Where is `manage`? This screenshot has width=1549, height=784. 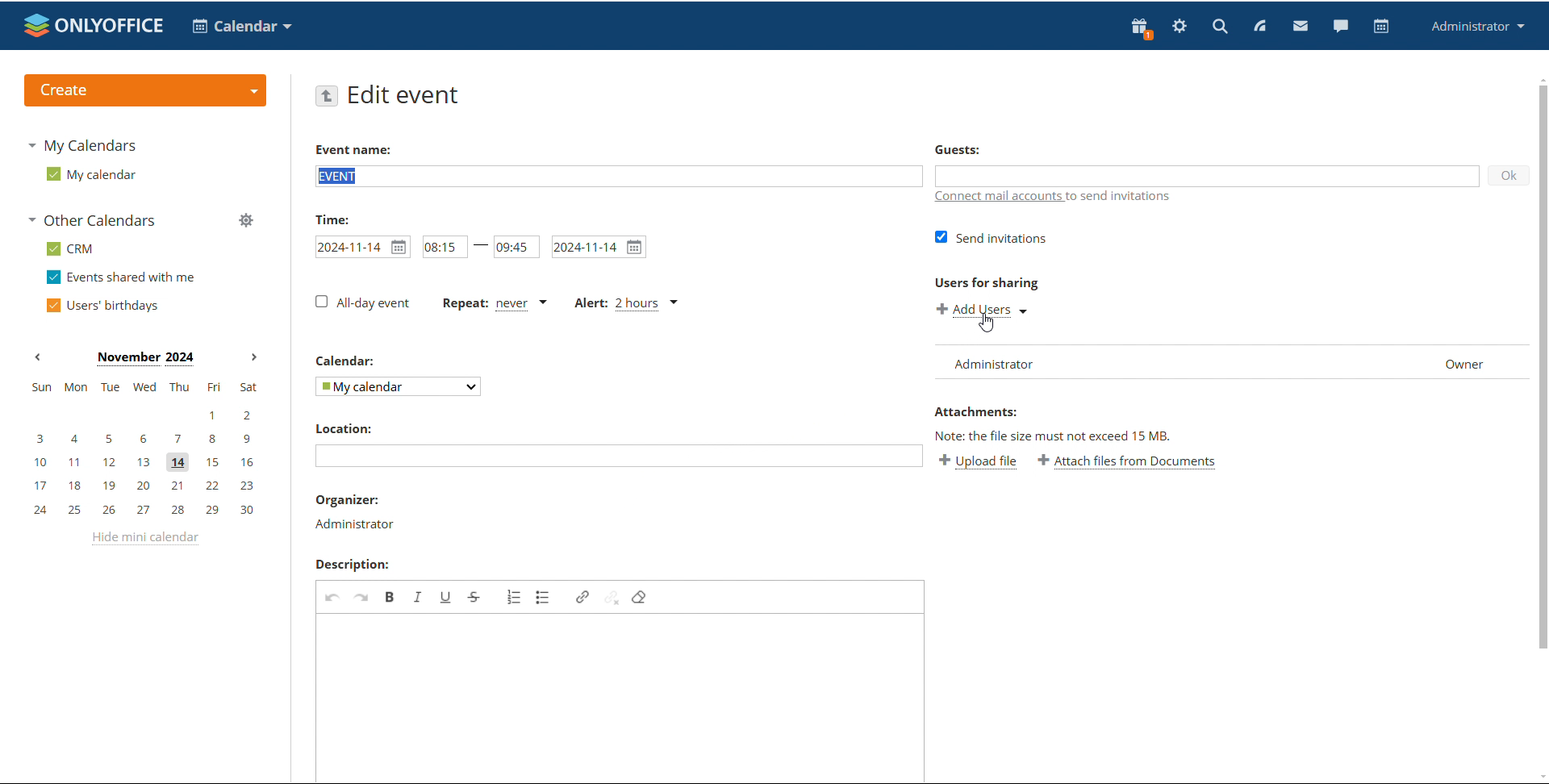 manage is located at coordinates (246, 220).